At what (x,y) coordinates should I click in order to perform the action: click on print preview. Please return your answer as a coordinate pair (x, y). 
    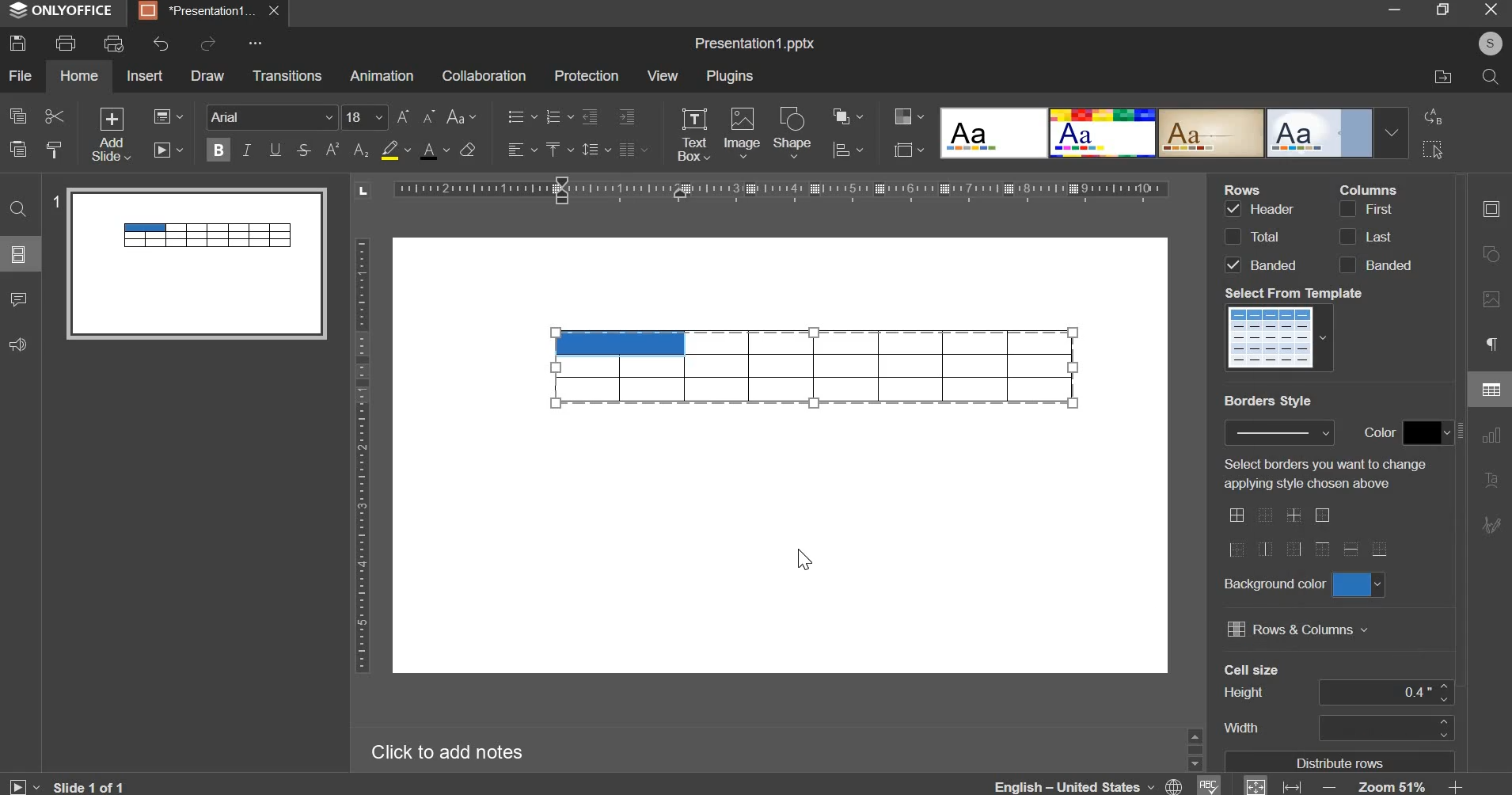
    Looking at the image, I should click on (113, 45).